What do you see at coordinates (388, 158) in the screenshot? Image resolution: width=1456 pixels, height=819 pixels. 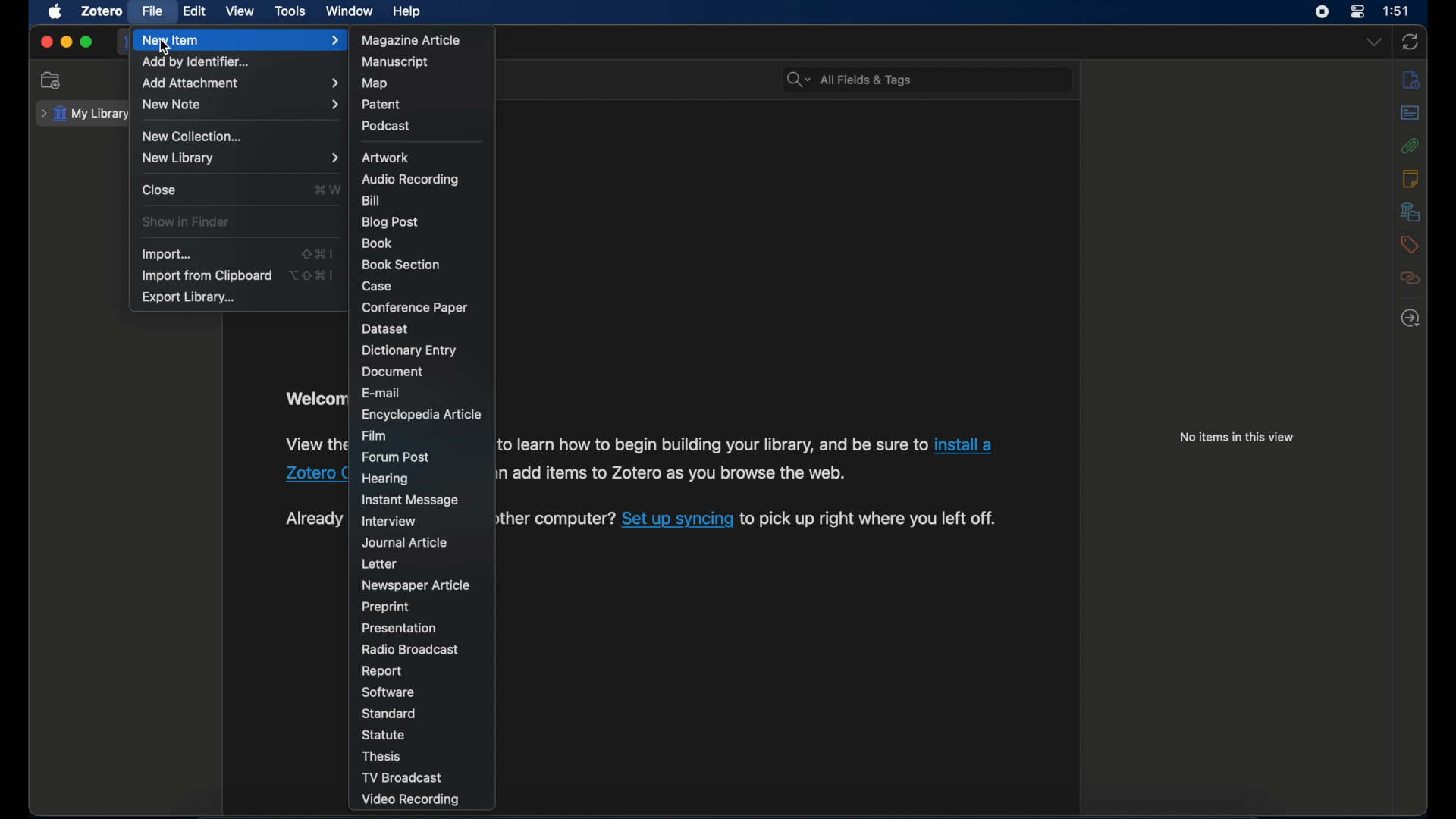 I see `artwork` at bounding box center [388, 158].